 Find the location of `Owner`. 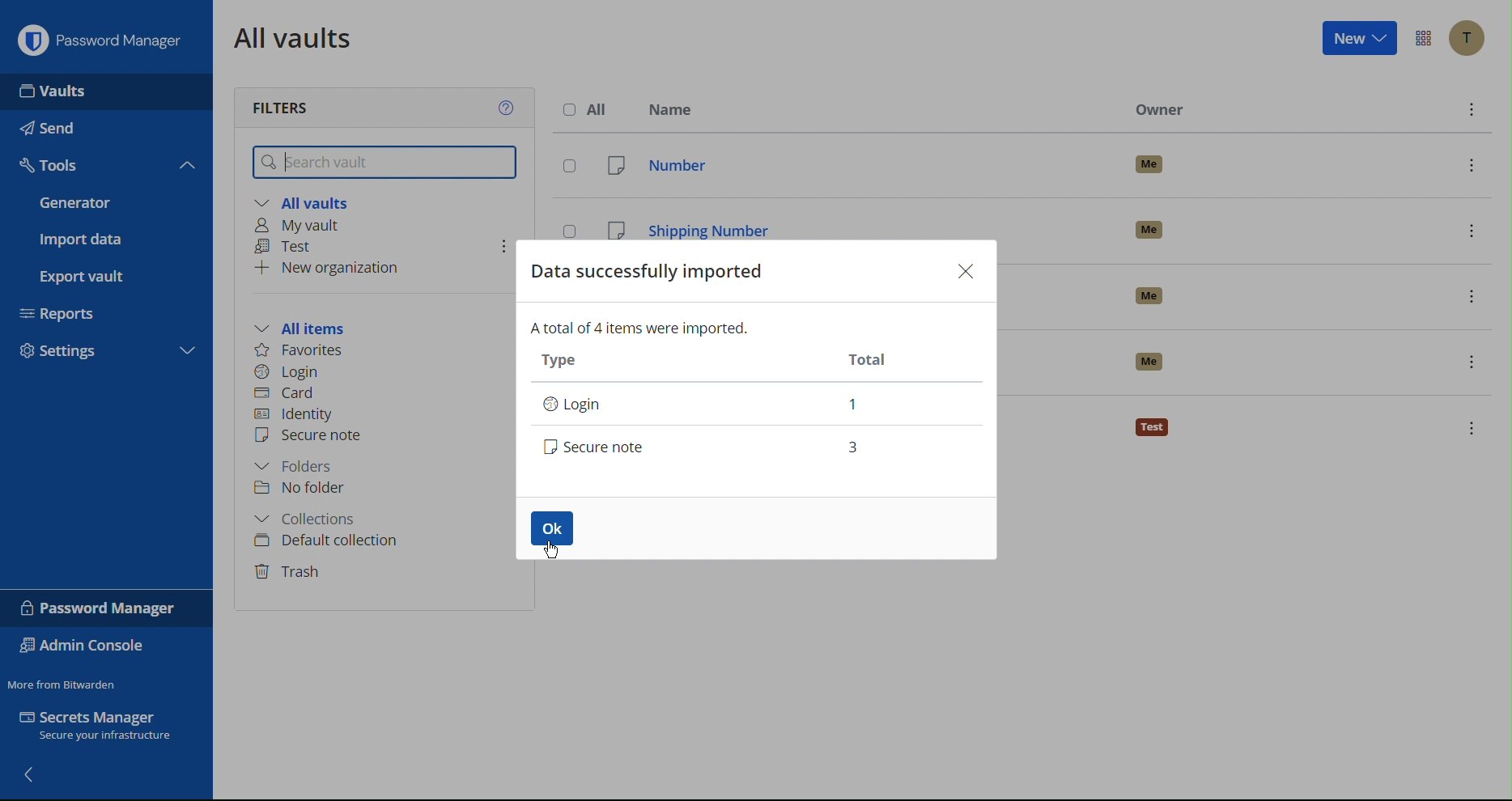

Owner is located at coordinates (1160, 110).